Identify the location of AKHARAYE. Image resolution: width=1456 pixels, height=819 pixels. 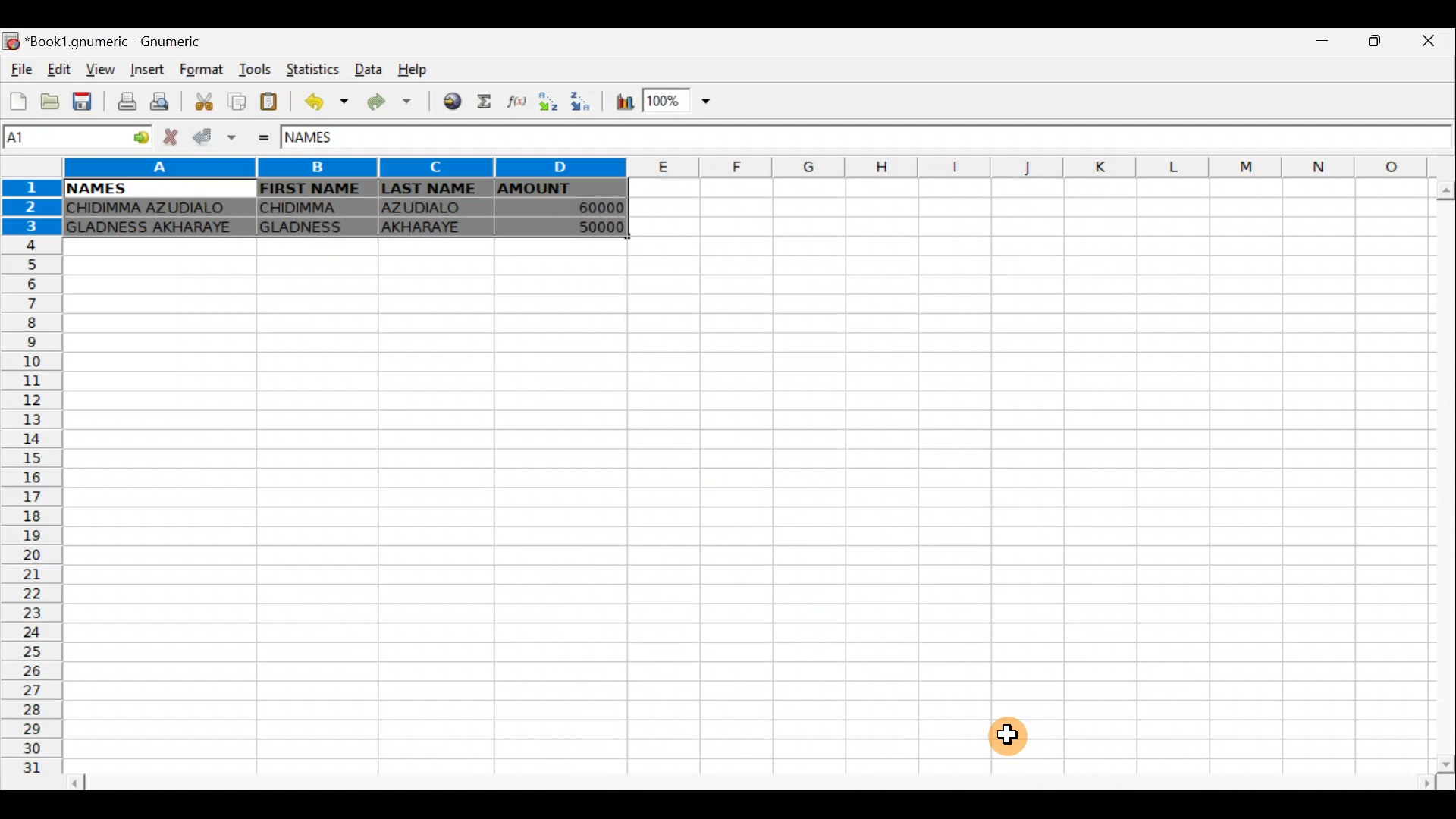
(434, 210).